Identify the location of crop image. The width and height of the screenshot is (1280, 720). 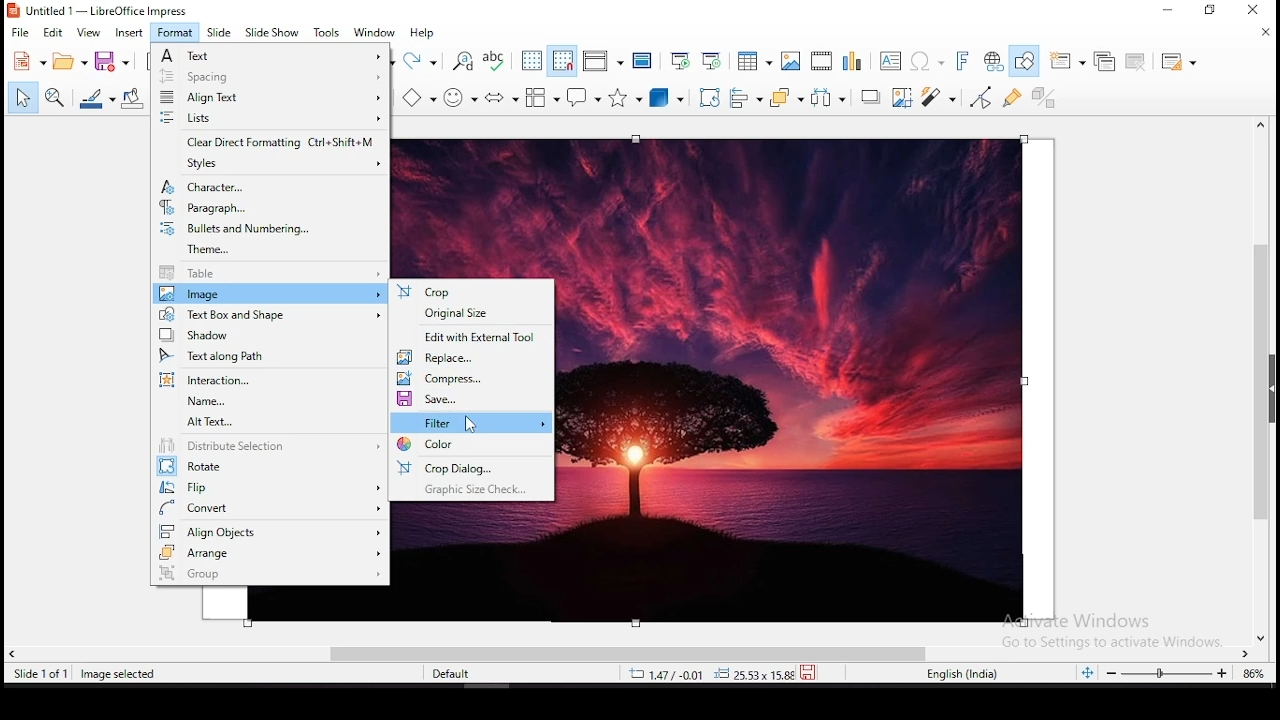
(904, 98).